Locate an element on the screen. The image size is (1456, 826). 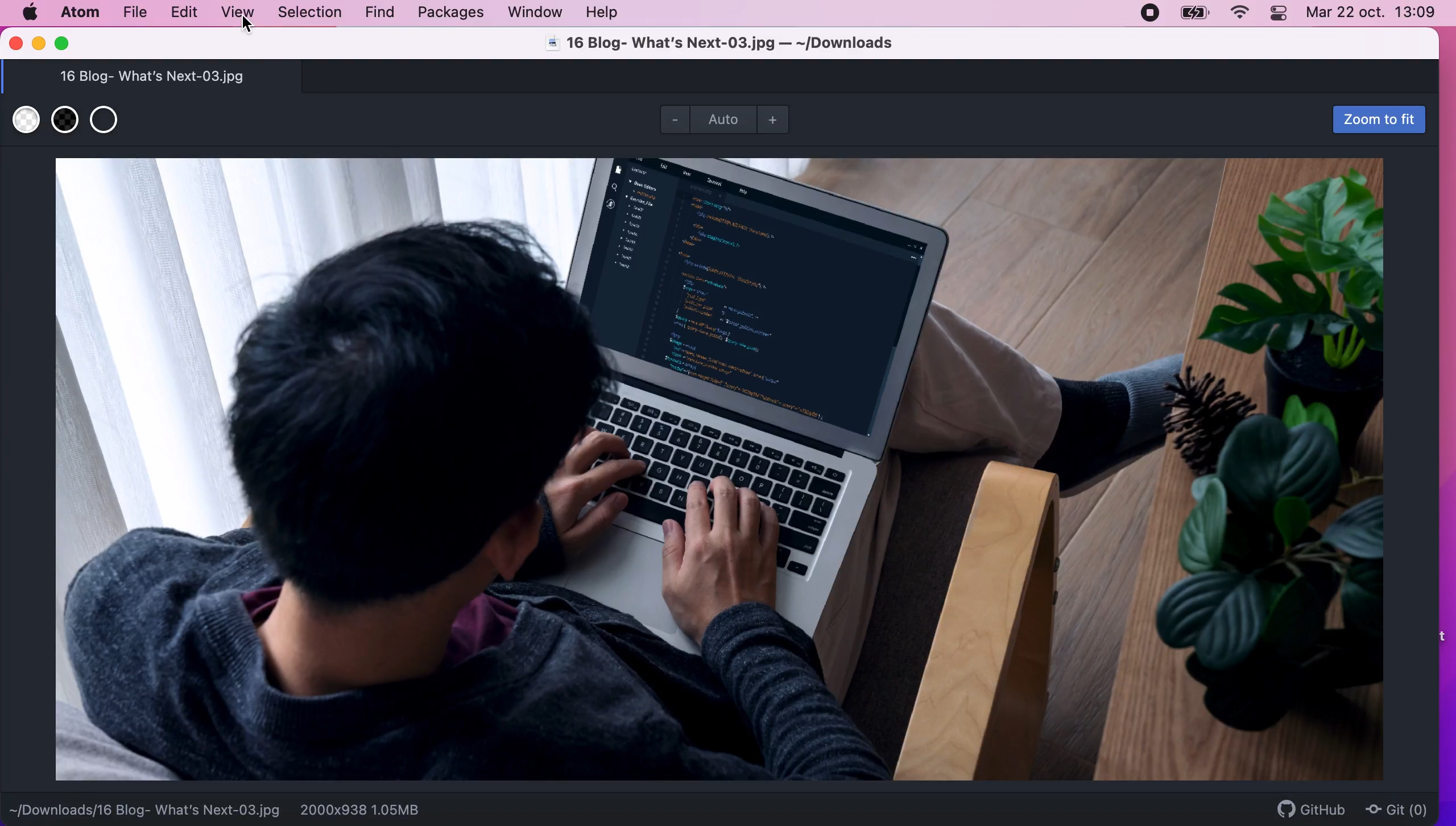
zoom to fit is located at coordinates (1374, 120).